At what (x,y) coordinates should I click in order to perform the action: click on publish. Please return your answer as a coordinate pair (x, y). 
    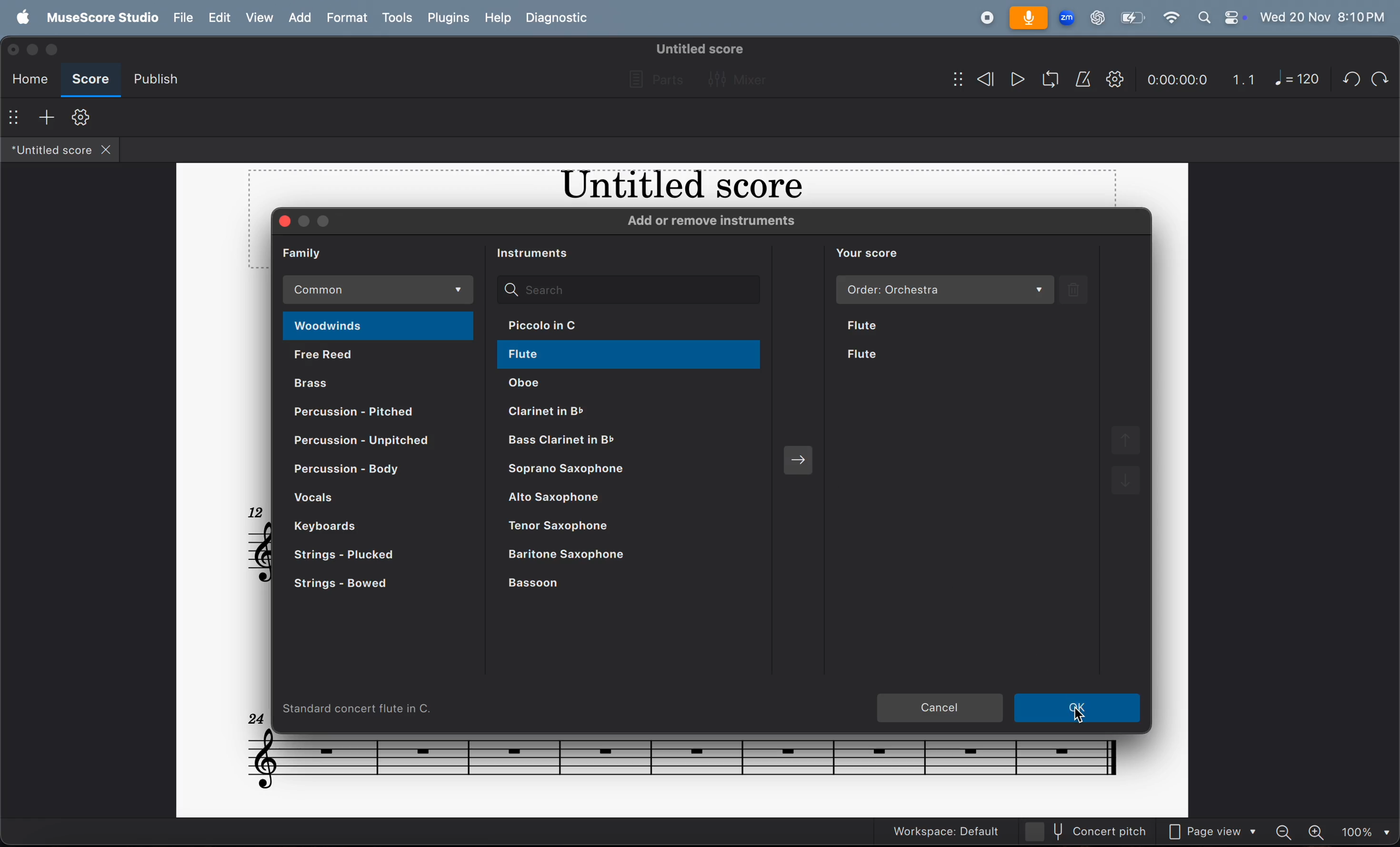
    Looking at the image, I should click on (157, 78).